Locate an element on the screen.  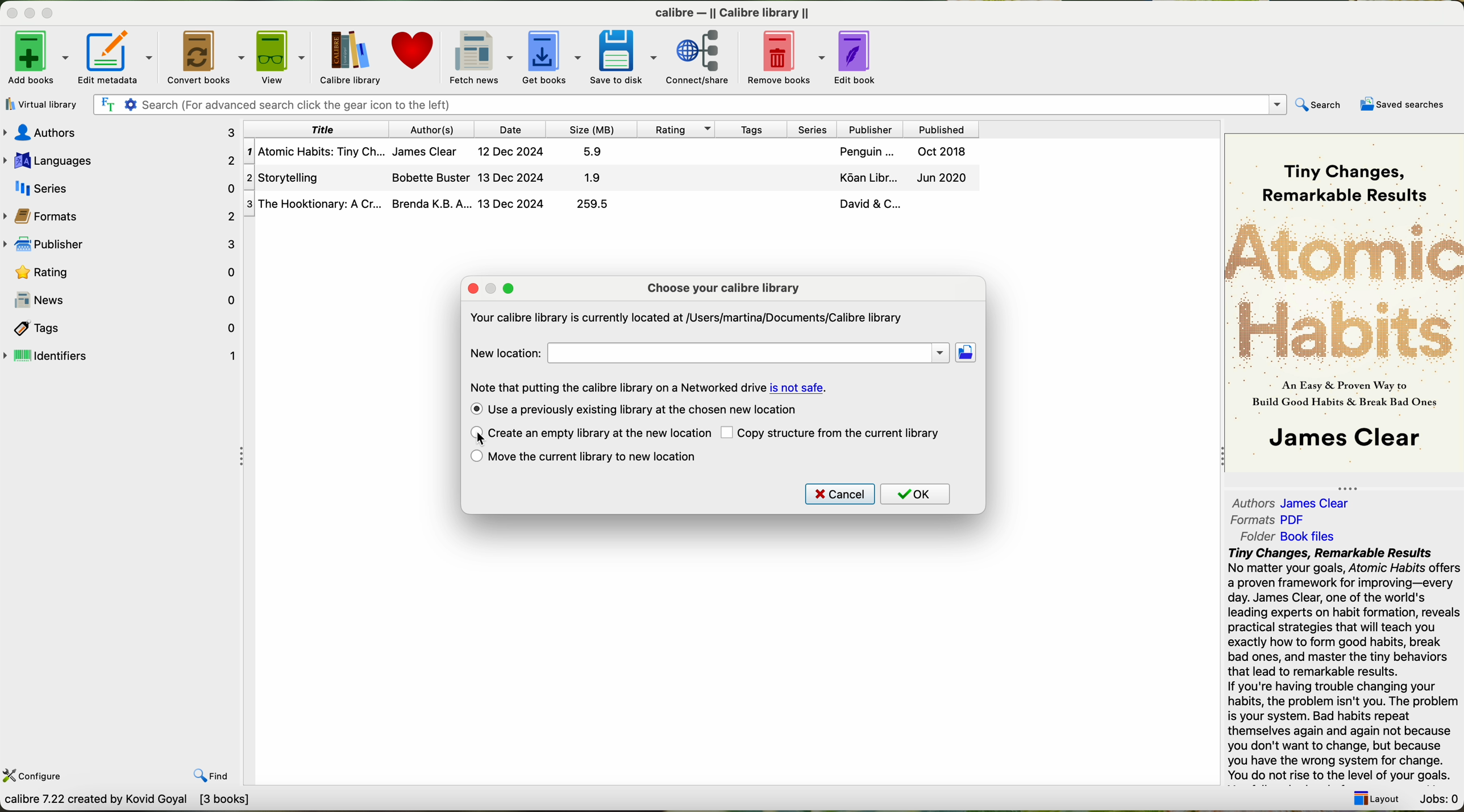
Third Book The Hooktionary is located at coordinates (611, 205).